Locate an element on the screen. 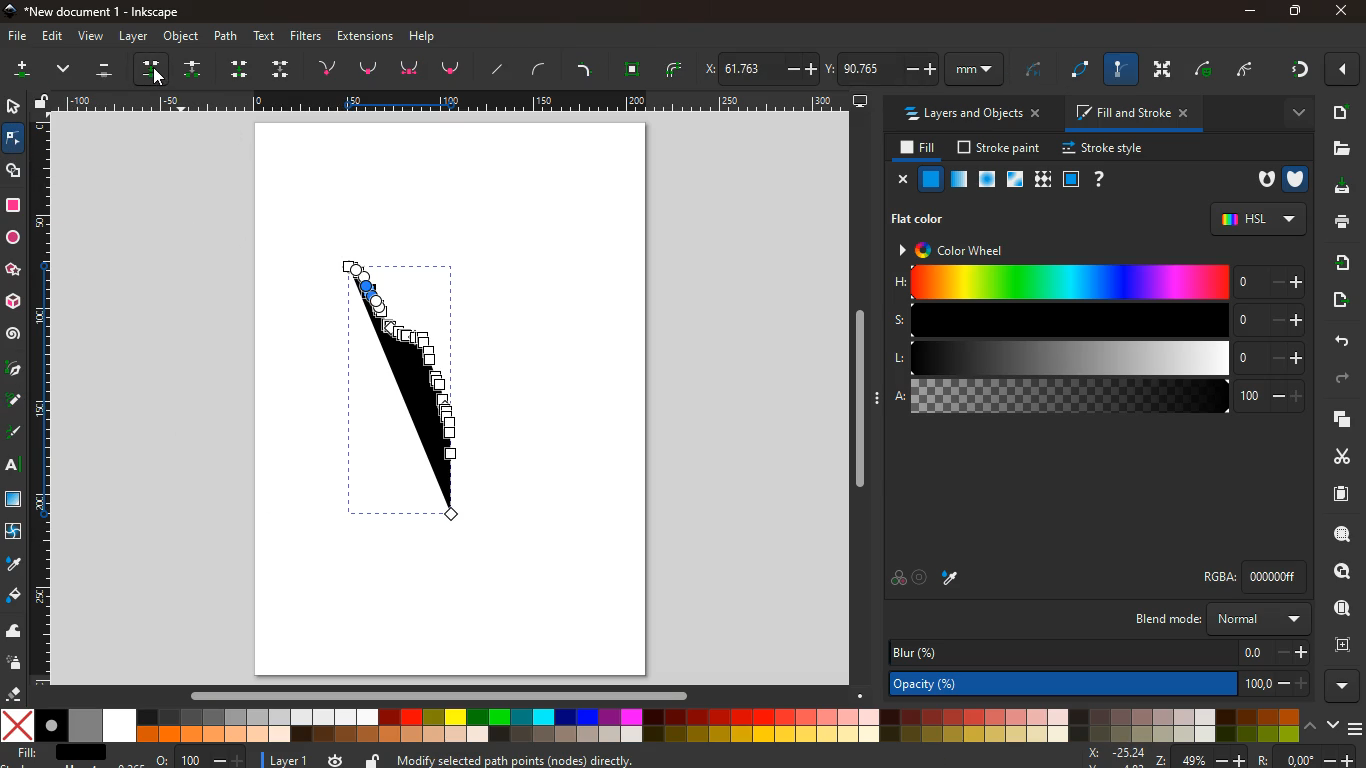  paper is located at coordinates (1339, 493).